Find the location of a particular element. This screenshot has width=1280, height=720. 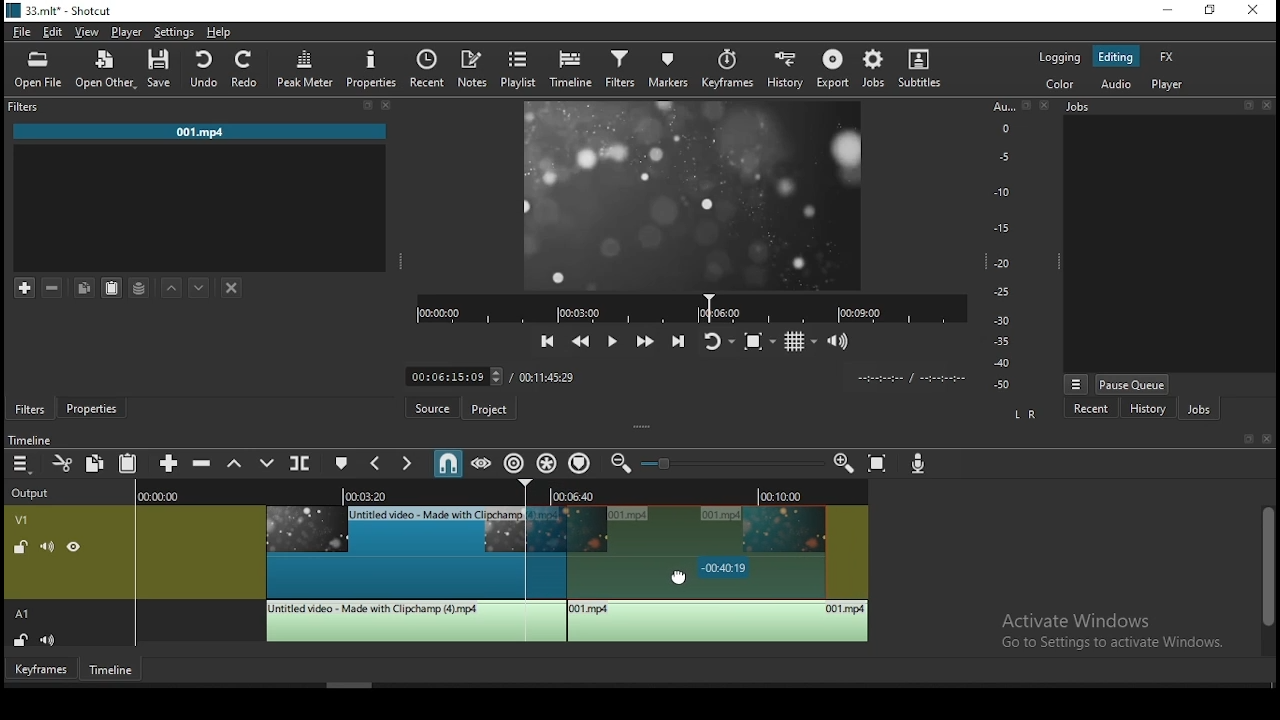

video clip (selected) is located at coordinates (697, 553).